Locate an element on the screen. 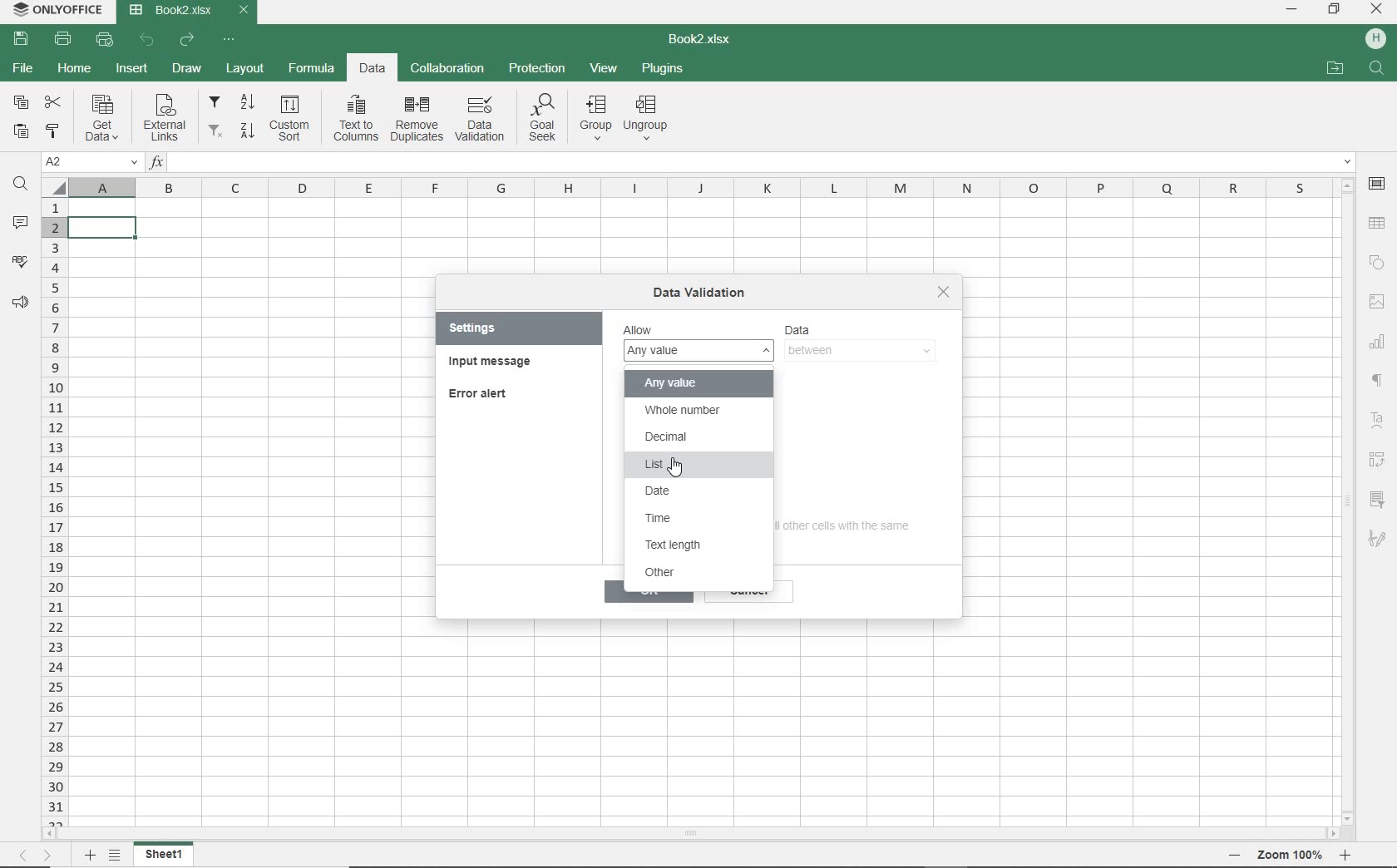 This screenshot has height=868, width=1397. external links is located at coordinates (167, 121).